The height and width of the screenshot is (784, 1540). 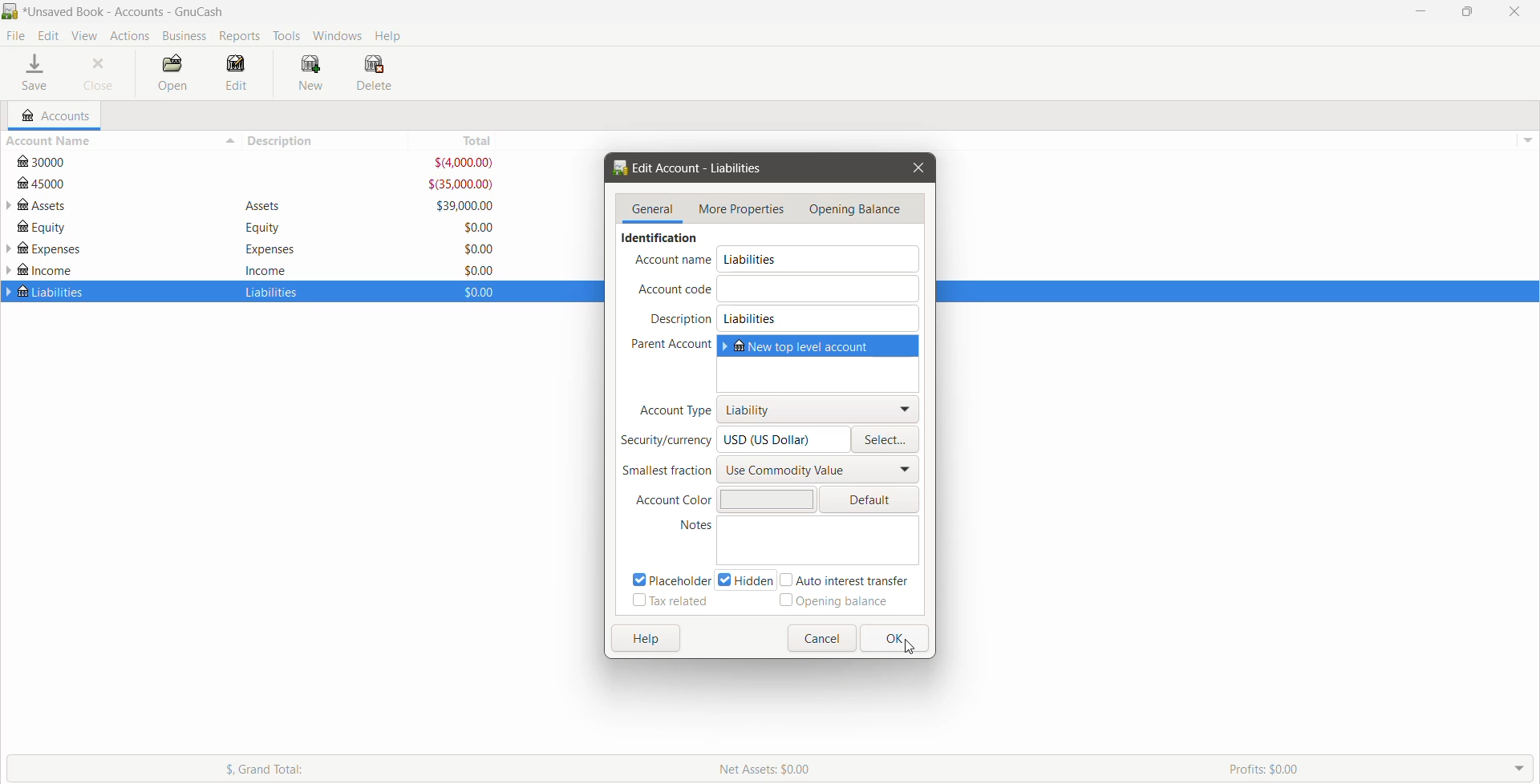 What do you see at coordinates (314, 74) in the screenshot?
I see `New` at bounding box center [314, 74].